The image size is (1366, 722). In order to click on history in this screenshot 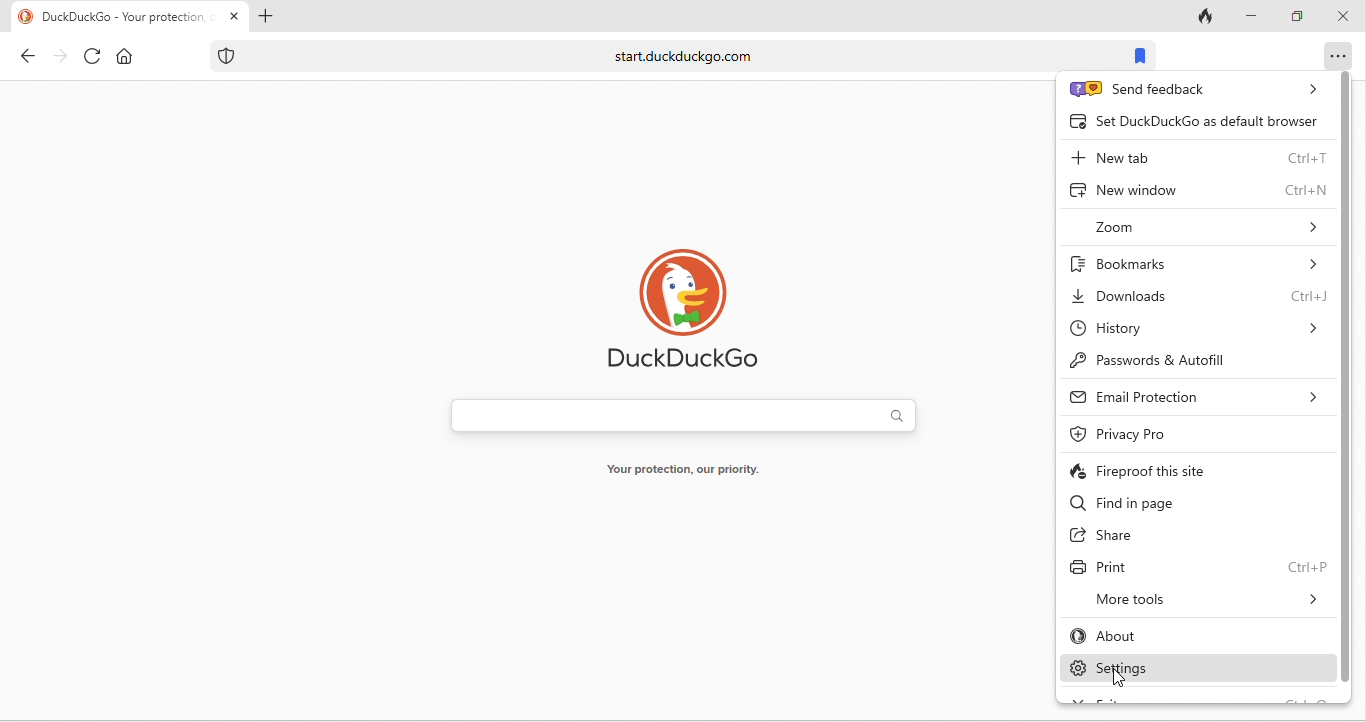, I will do `click(1196, 331)`.